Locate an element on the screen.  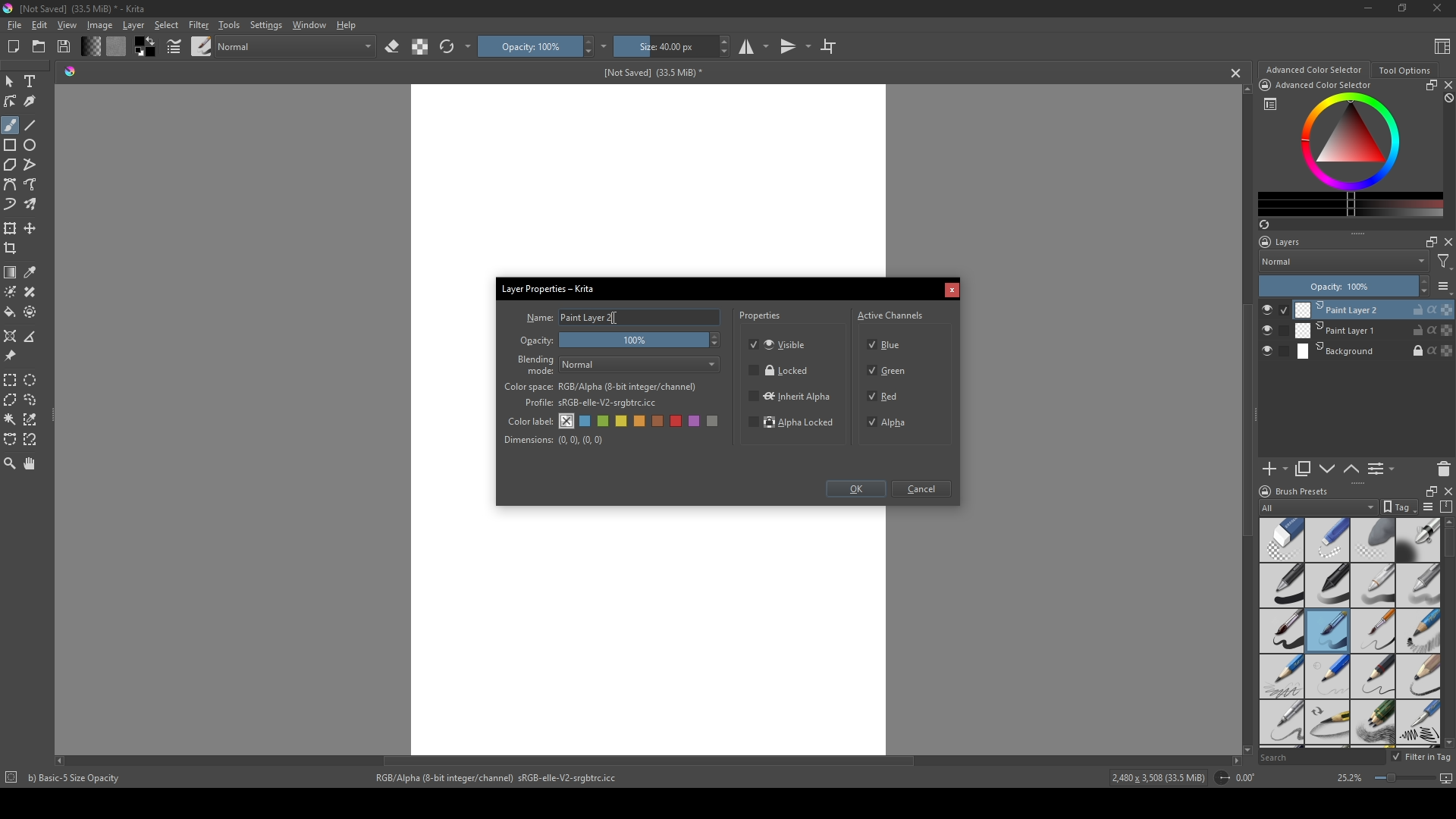
Layer Properties - Krita is located at coordinates (550, 287).